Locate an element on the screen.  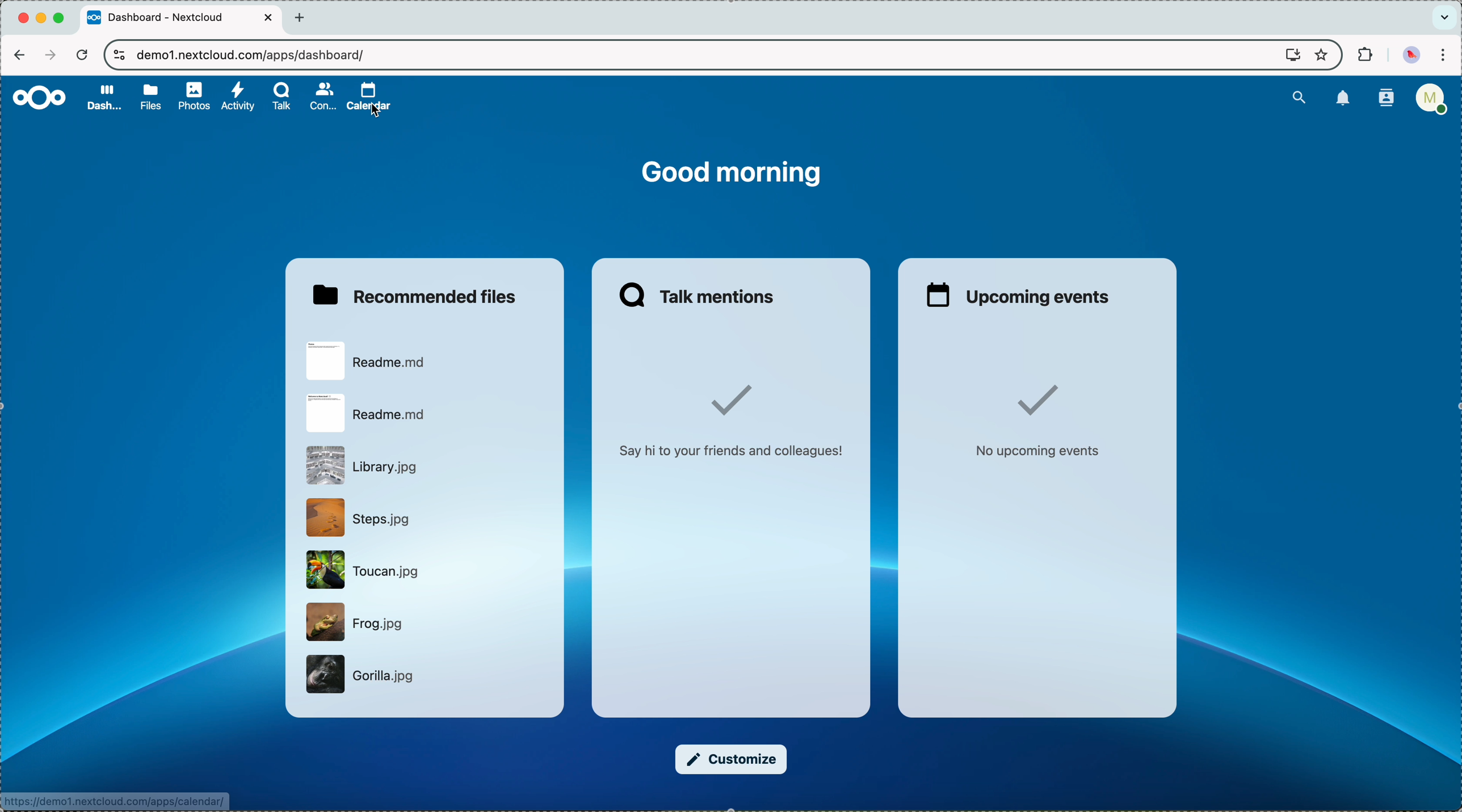
screen is located at coordinates (1287, 56).